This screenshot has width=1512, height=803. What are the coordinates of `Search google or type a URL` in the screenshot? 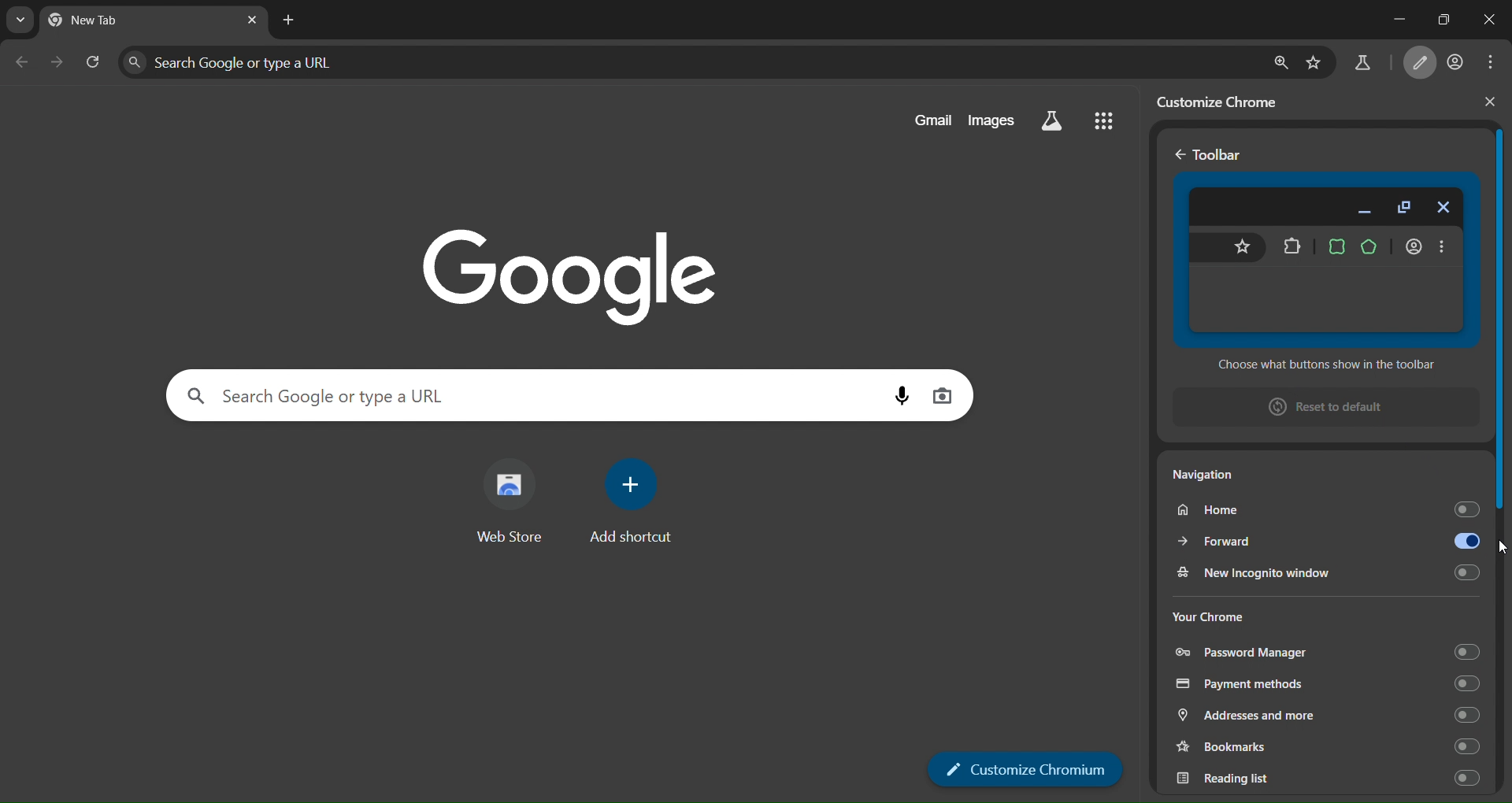 It's located at (523, 395).